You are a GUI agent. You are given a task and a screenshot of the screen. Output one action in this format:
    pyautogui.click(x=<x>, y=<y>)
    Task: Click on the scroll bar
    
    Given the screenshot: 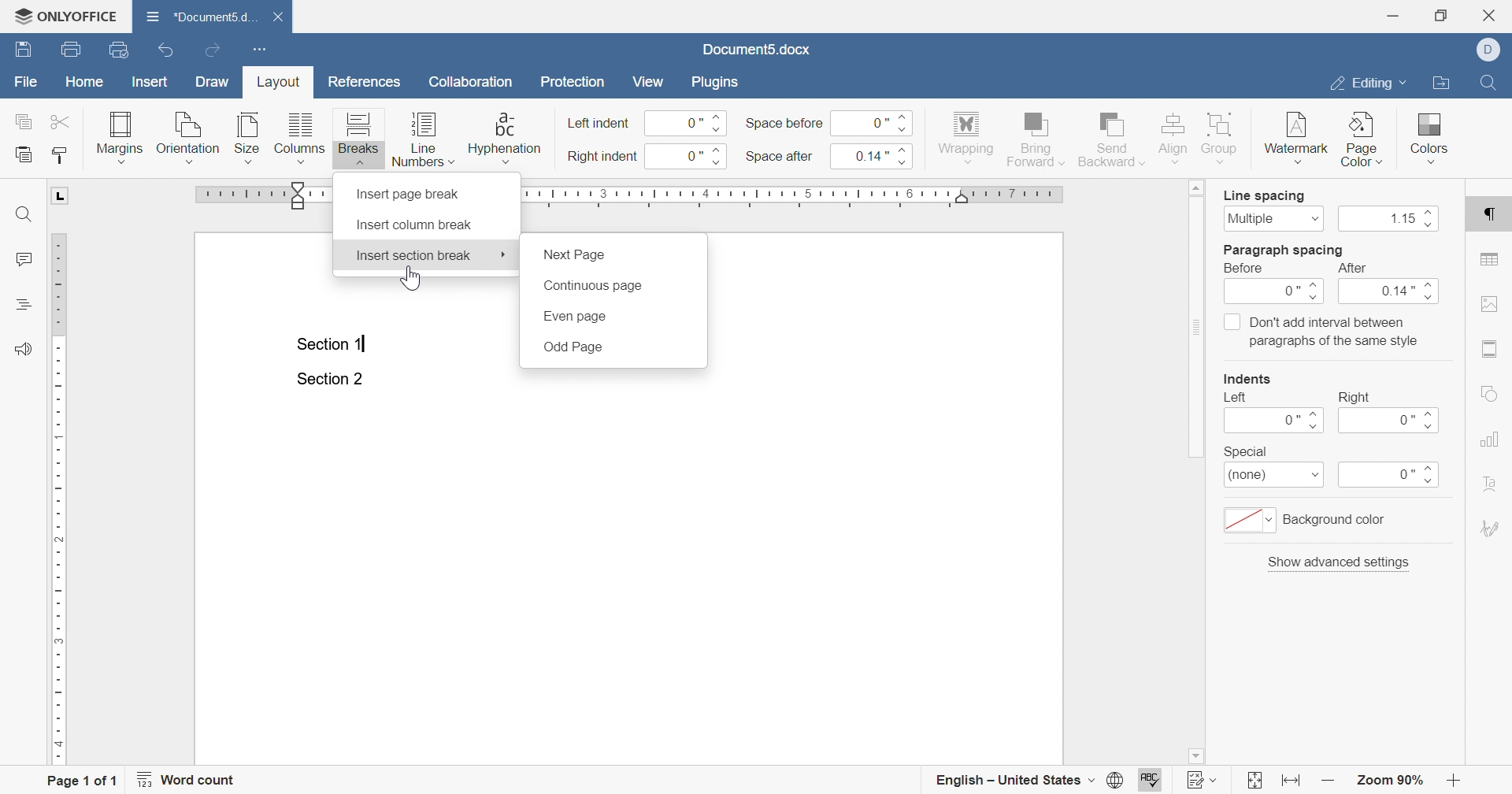 What is the action you would take?
    pyautogui.click(x=1198, y=319)
    